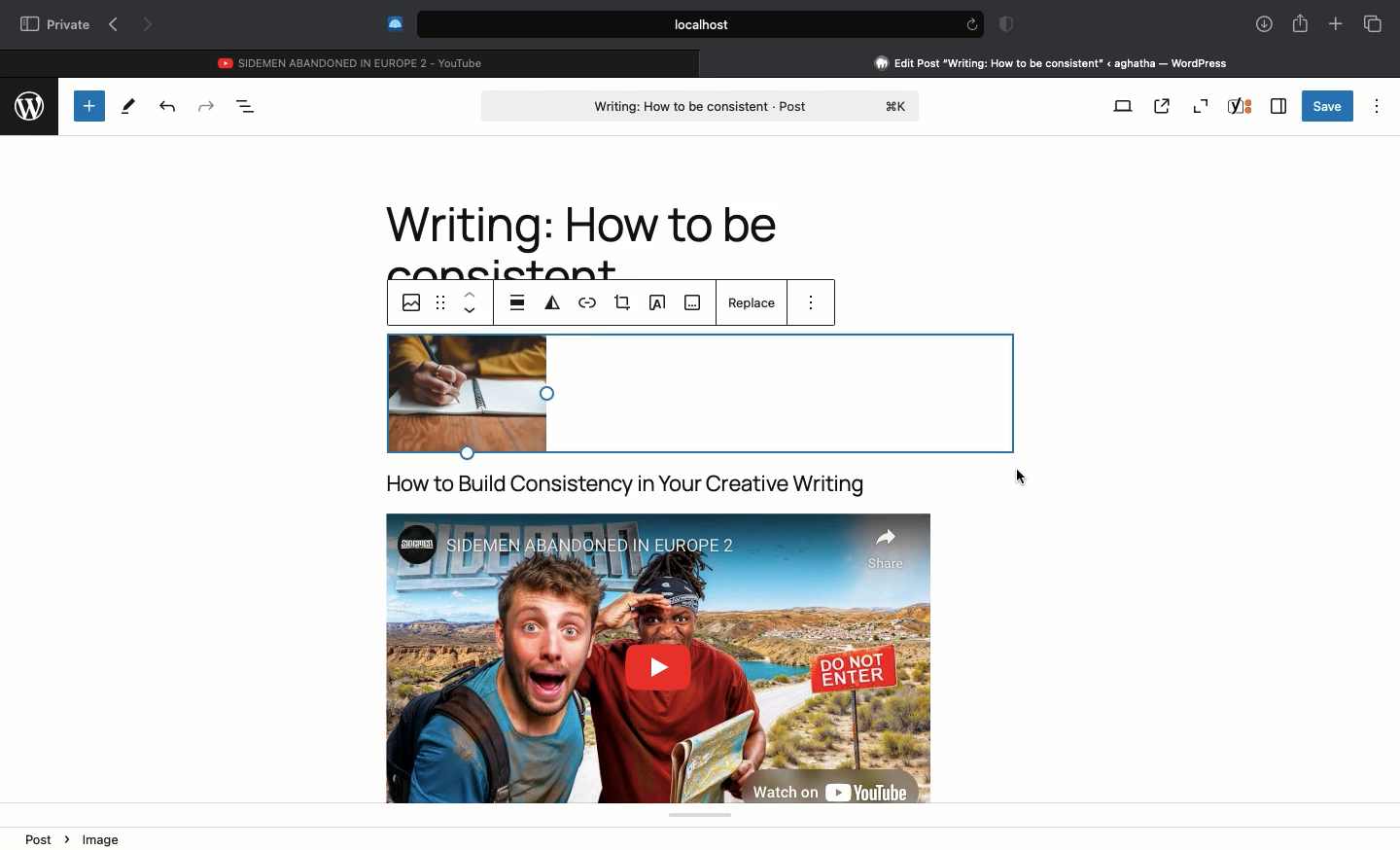  Describe the element at coordinates (1278, 106) in the screenshot. I see `Sidebar` at that location.